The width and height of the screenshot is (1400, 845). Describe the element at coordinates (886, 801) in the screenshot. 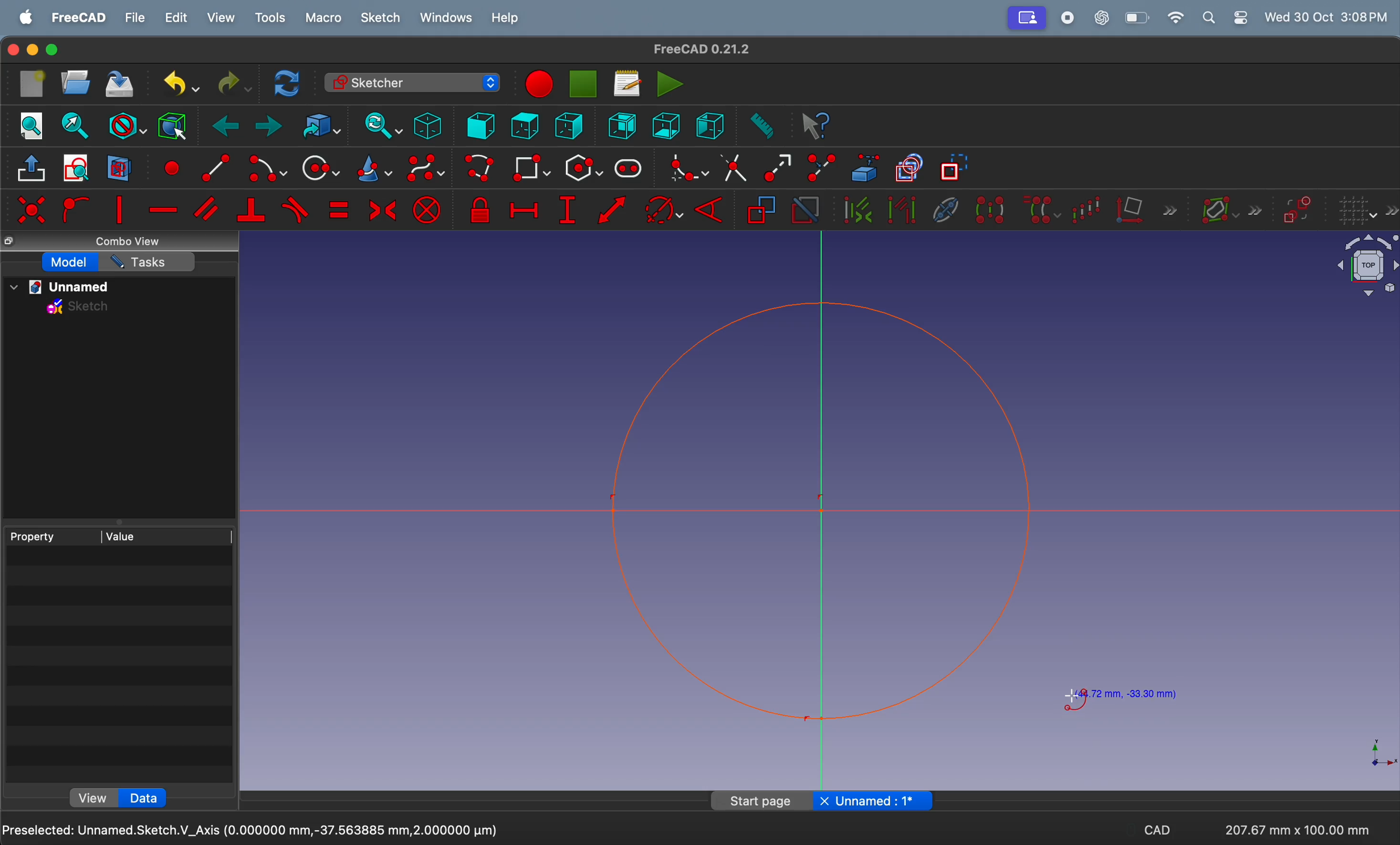

I see `Unnamed` at that location.